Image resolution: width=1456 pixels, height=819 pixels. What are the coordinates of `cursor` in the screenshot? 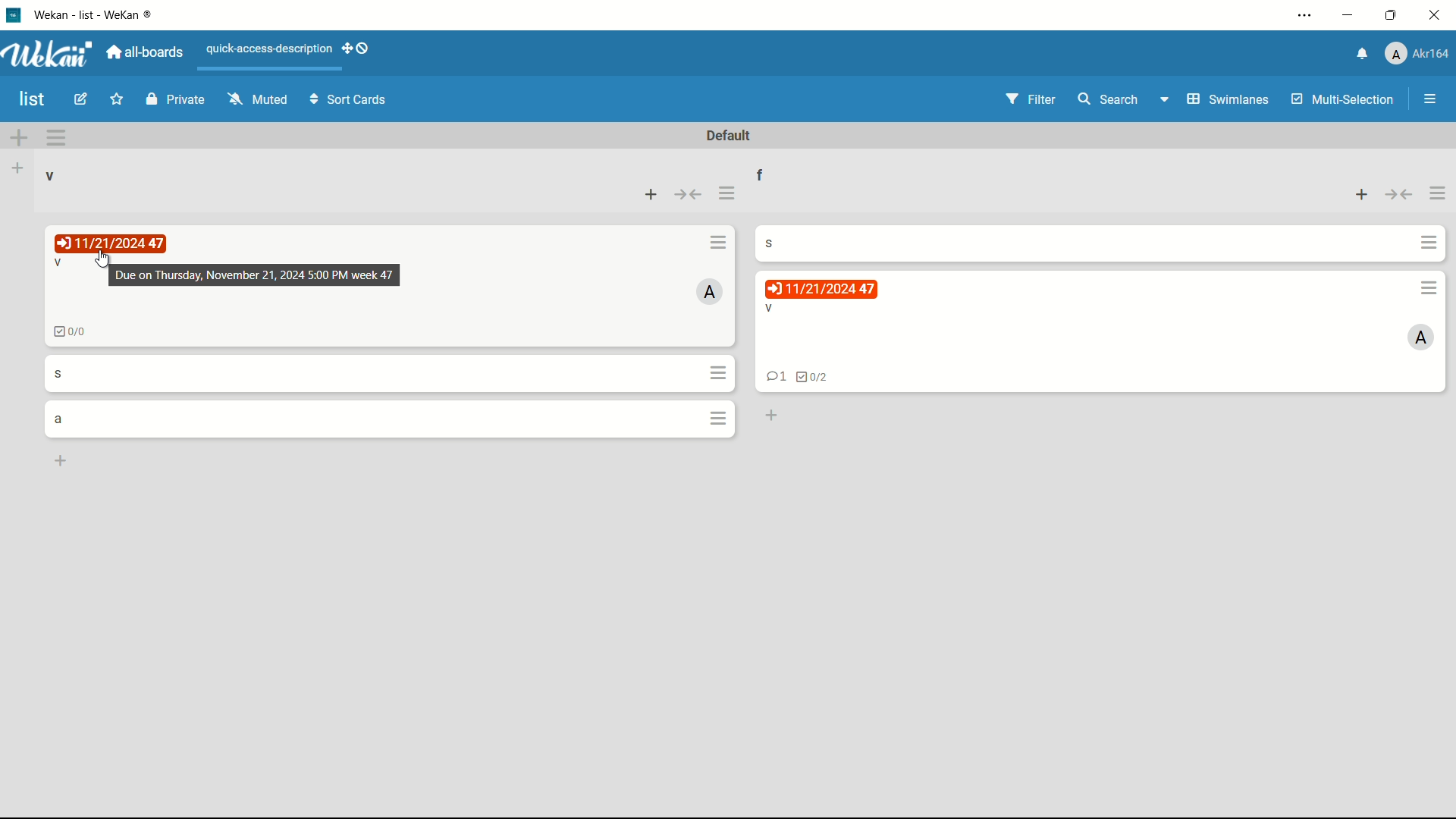 It's located at (102, 262).